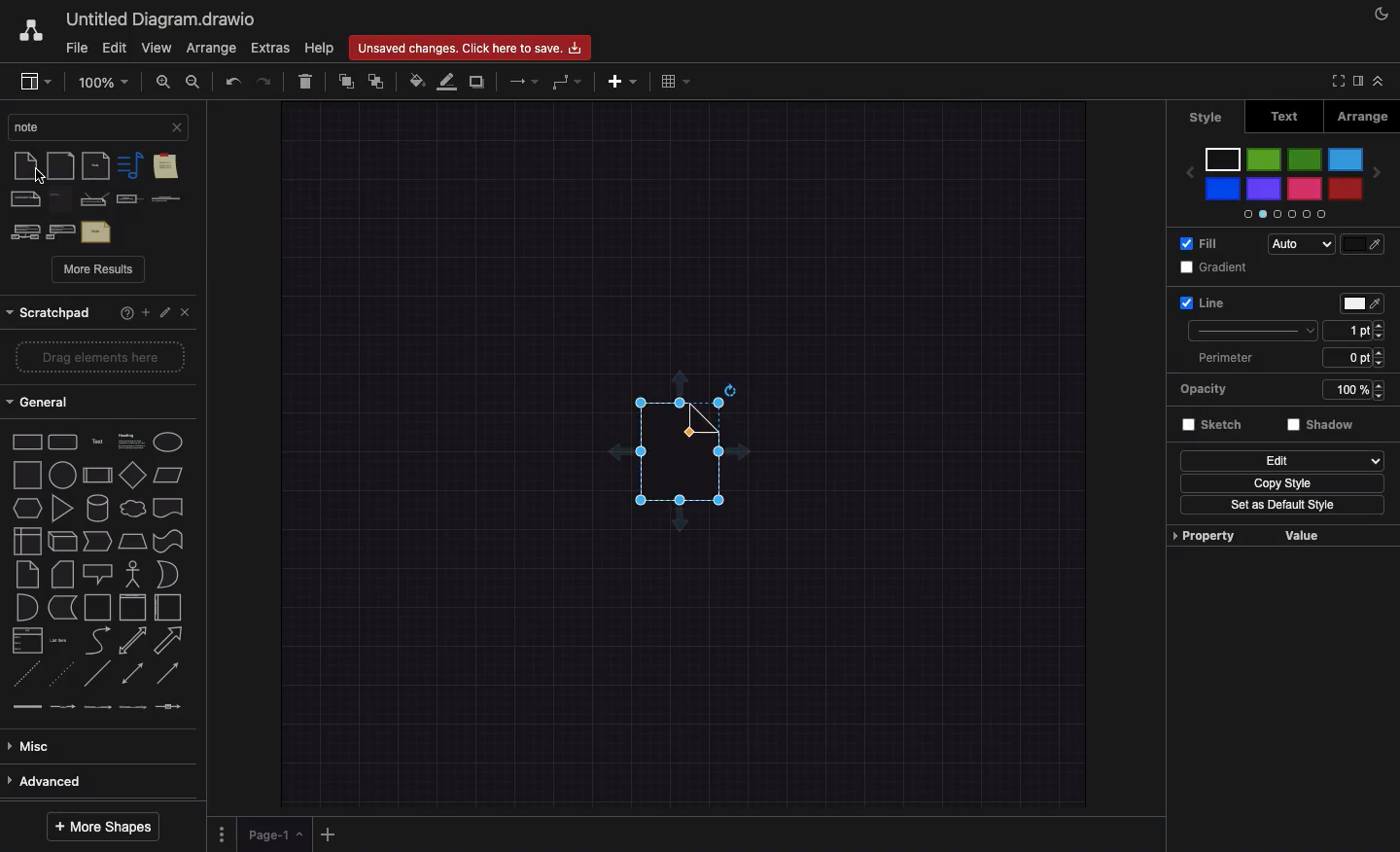 The width and height of the screenshot is (1400, 852). What do you see at coordinates (1307, 536) in the screenshot?
I see `value` at bounding box center [1307, 536].